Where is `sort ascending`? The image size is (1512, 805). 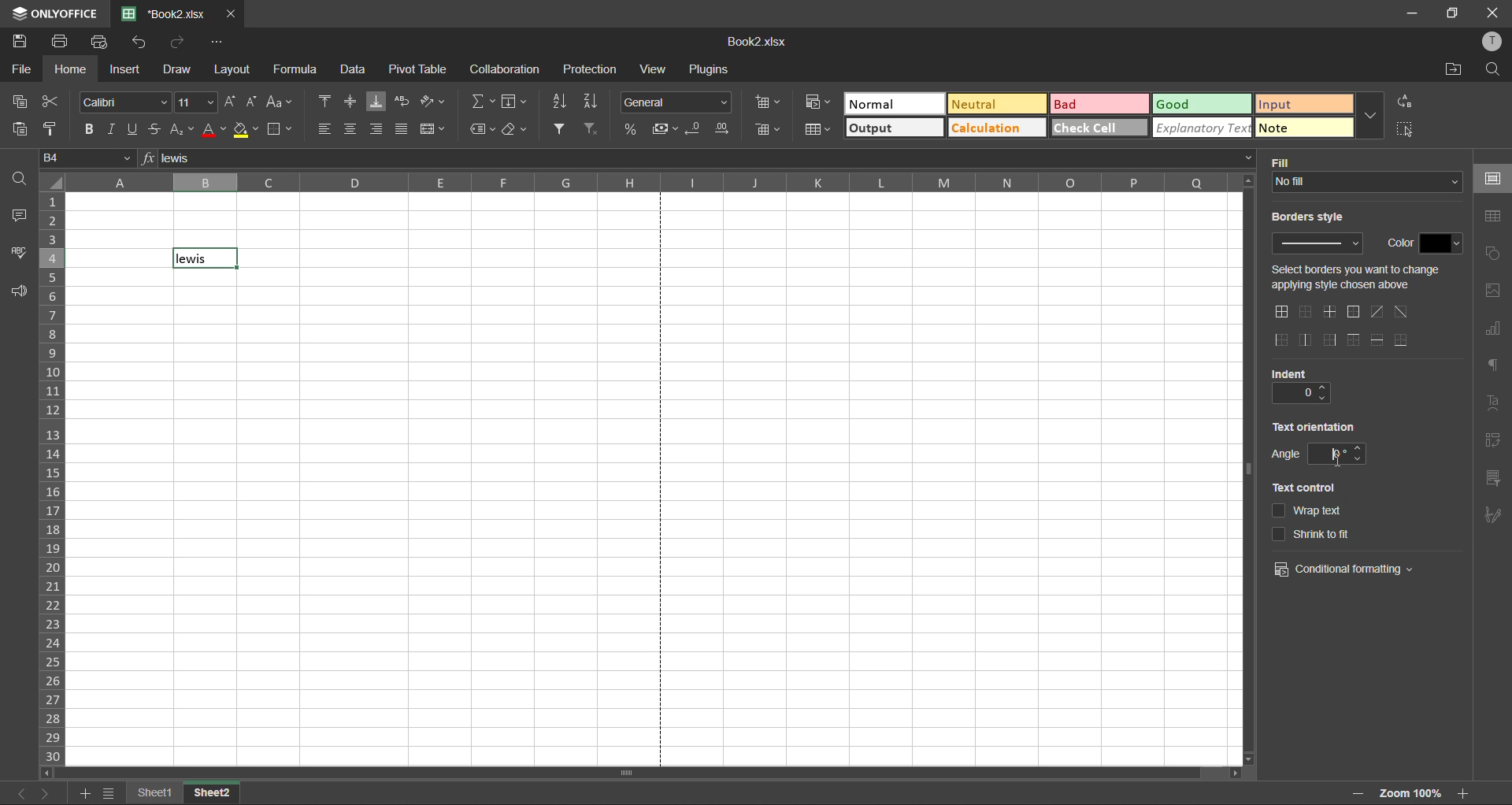 sort ascending is located at coordinates (561, 99).